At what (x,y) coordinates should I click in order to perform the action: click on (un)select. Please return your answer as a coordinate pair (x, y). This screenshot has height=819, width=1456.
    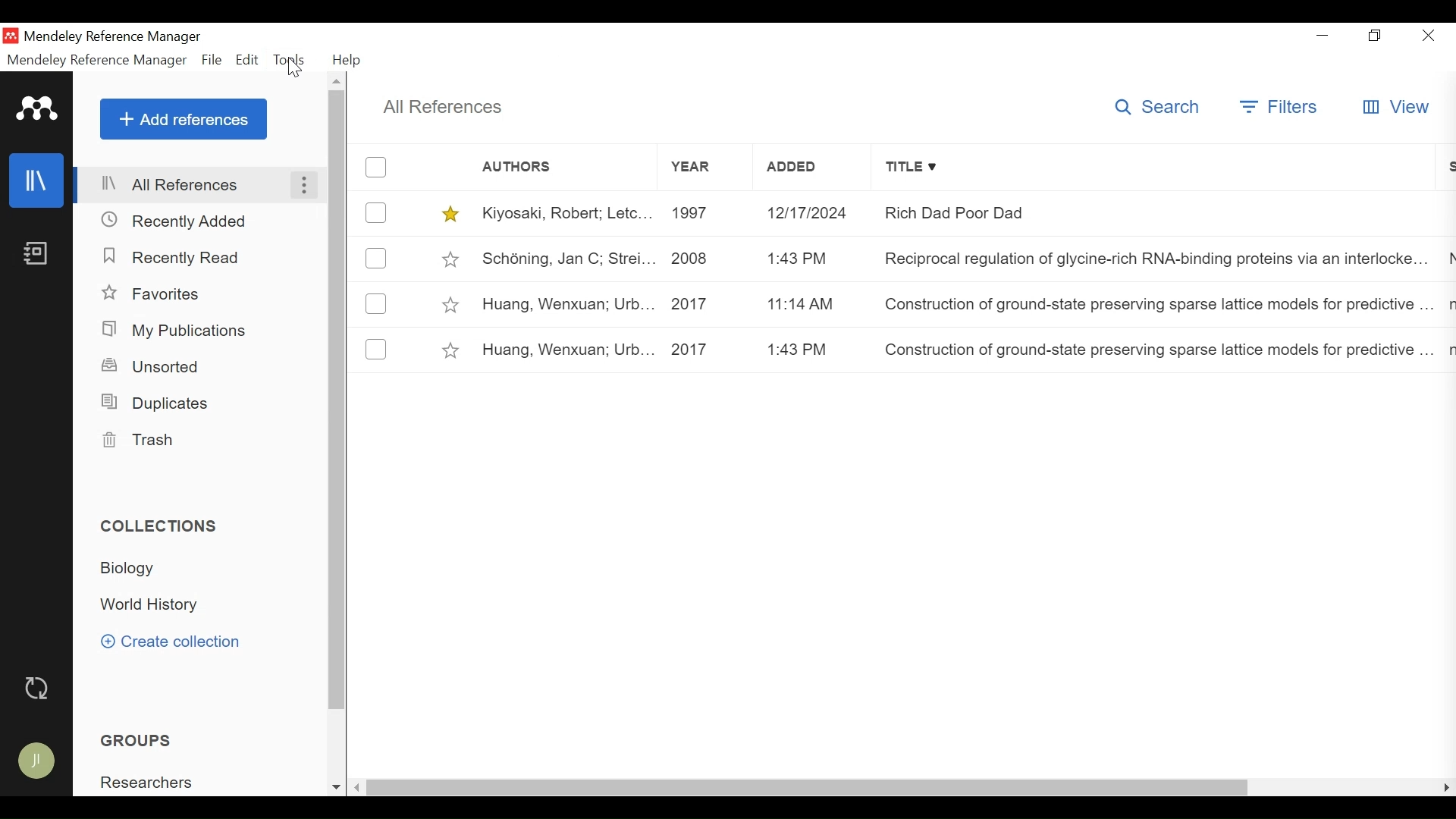
    Looking at the image, I should click on (375, 212).